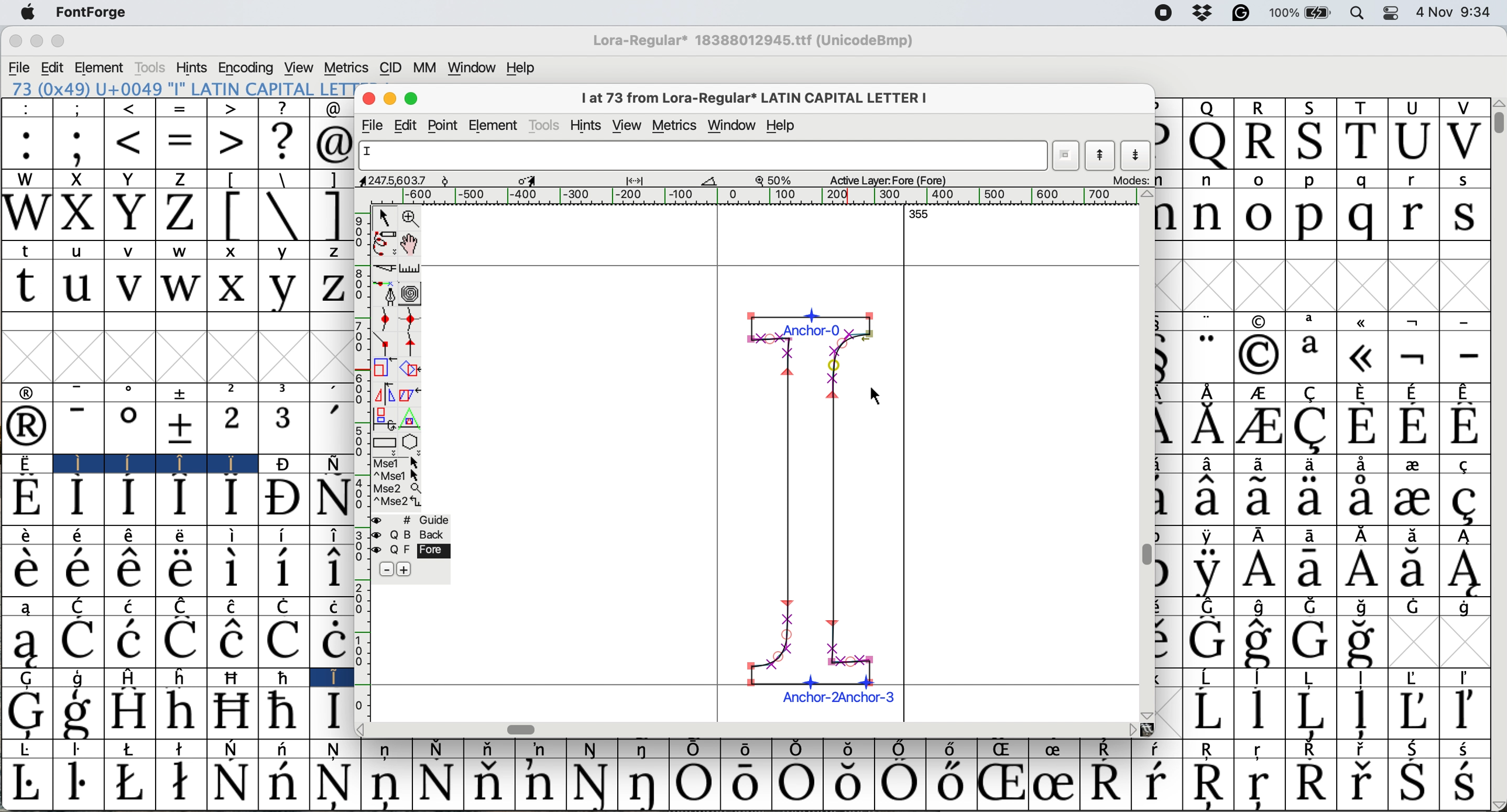 Image resolution: width=1507 pixels, height=812 pixels. I want to click on Symbol, so click(1312, 750).